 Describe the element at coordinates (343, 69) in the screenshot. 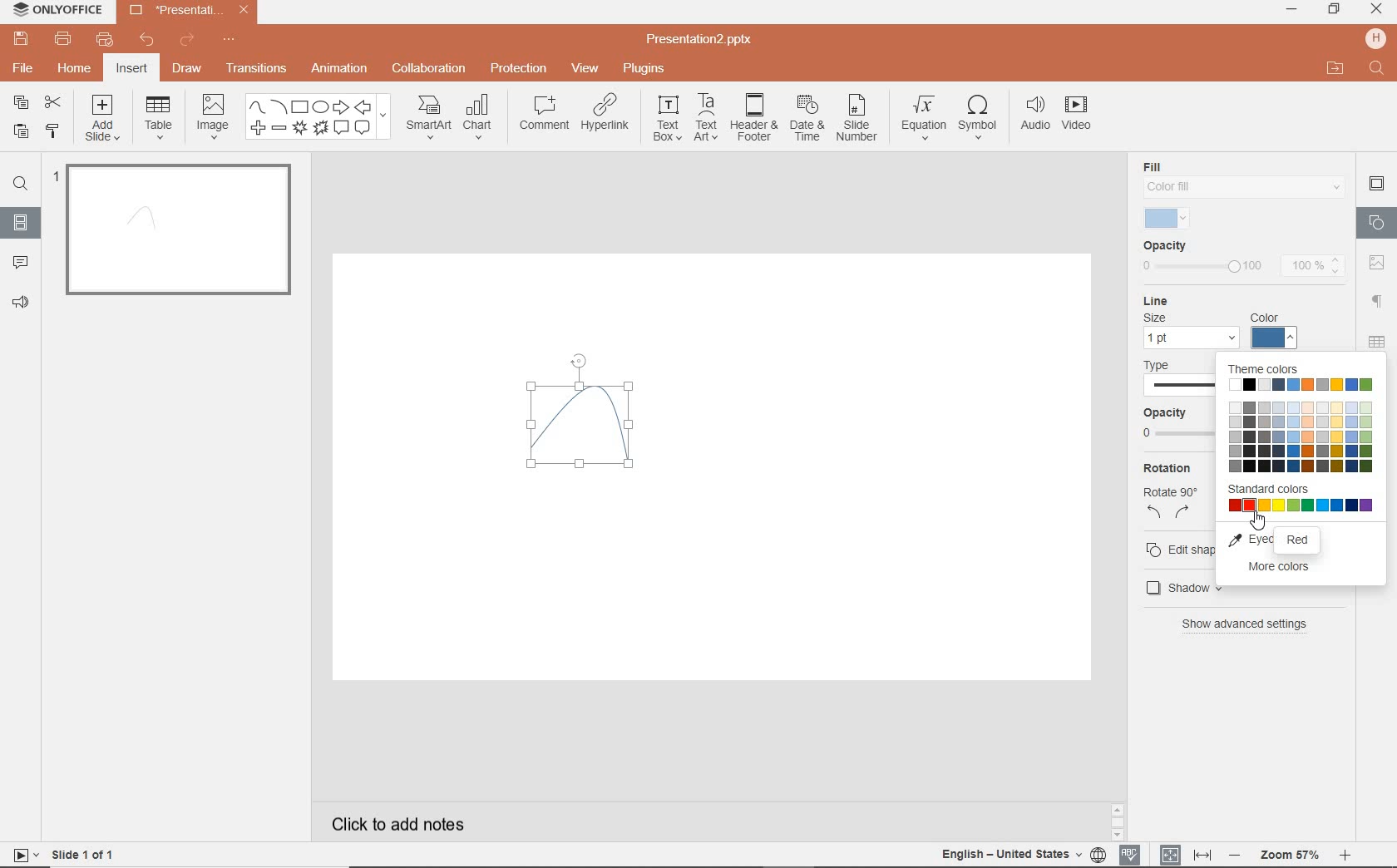

I see `ANIMATION` at that location.